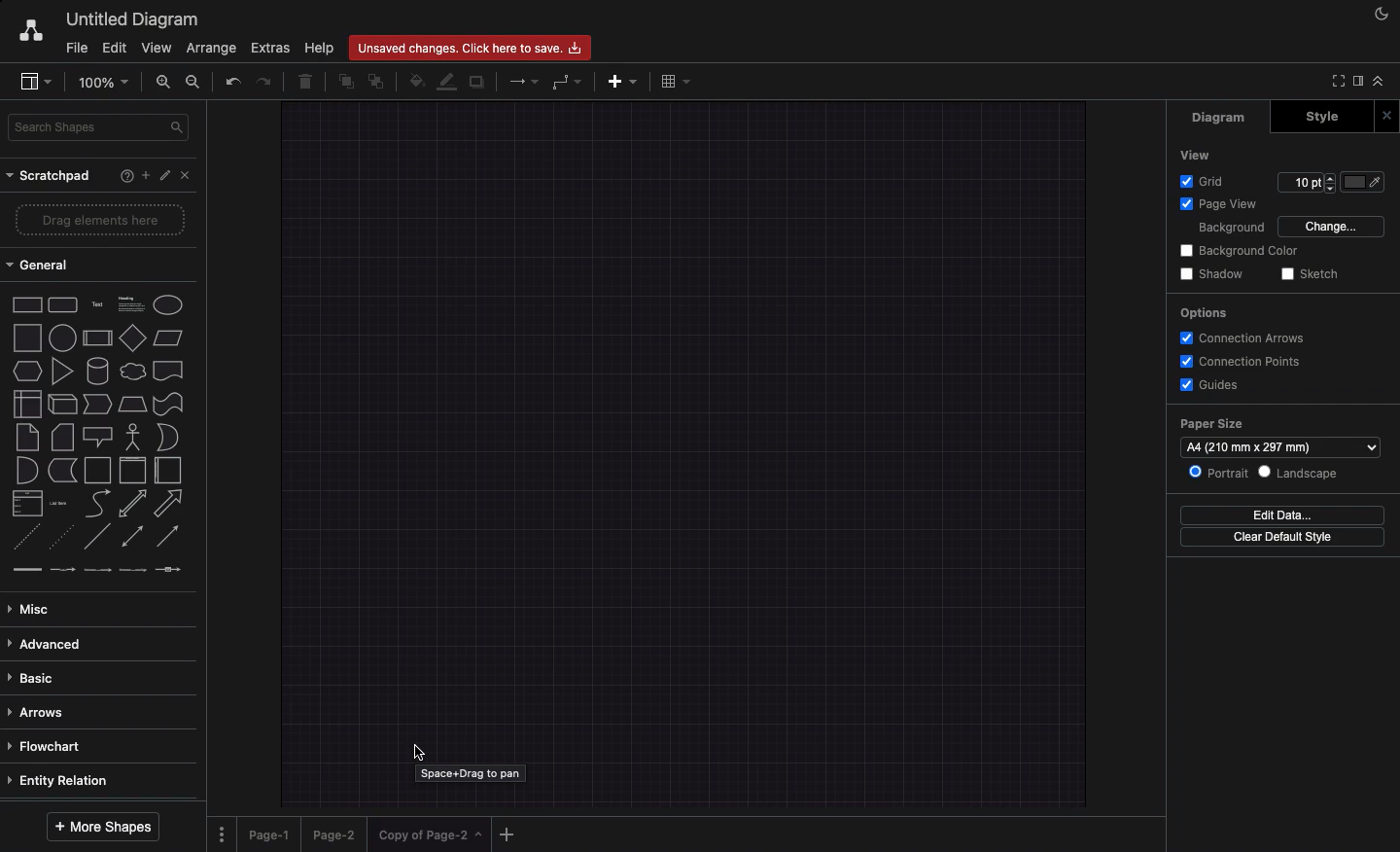 The width and height of the screenshot is (1400, 852). What do you see at coordinates (566, 80) in the screenshot?
I see `Waypoints` at bounding box center [566, 80].